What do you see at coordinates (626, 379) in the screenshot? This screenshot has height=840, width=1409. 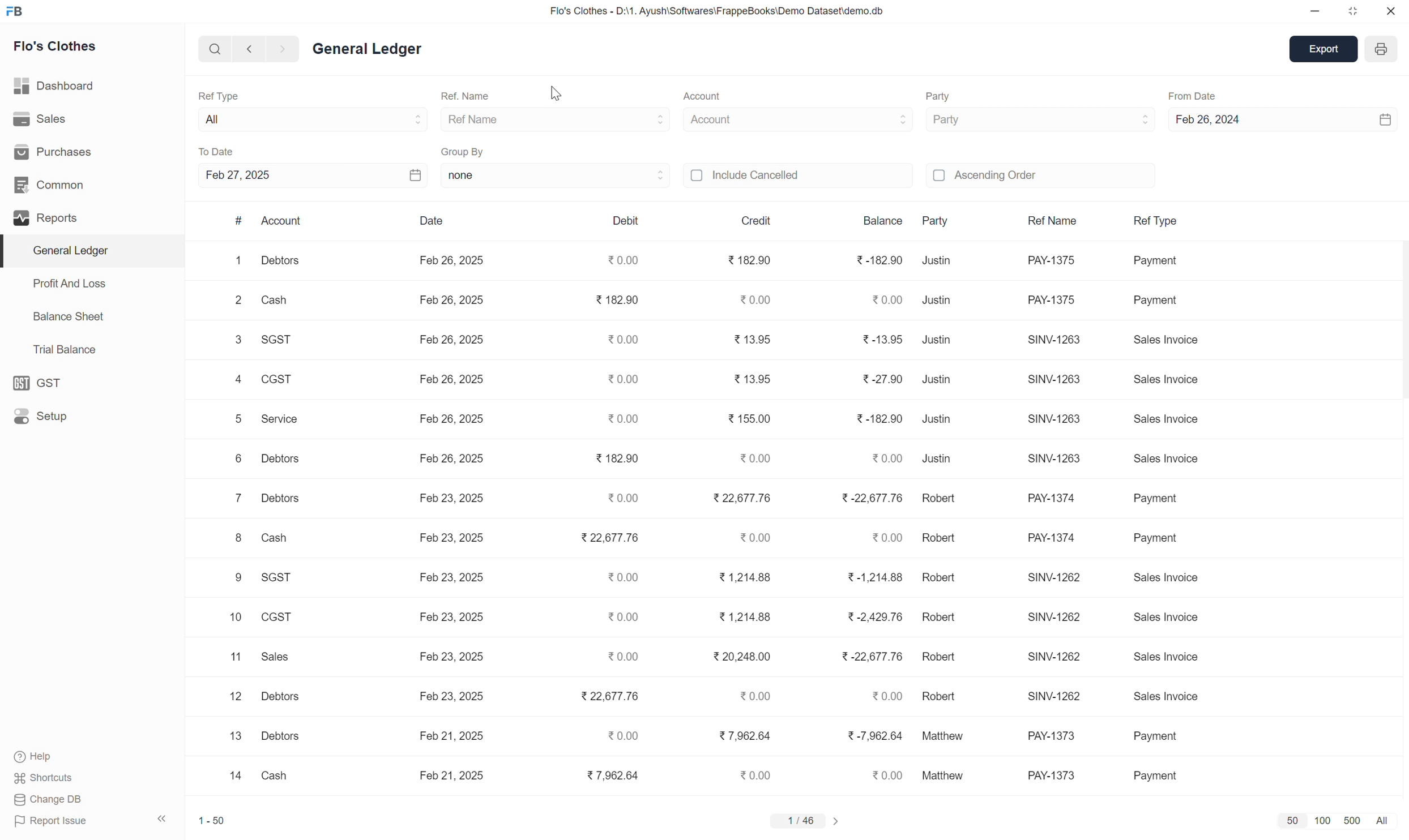 I see `0.00` at bounding box center [626, 379].